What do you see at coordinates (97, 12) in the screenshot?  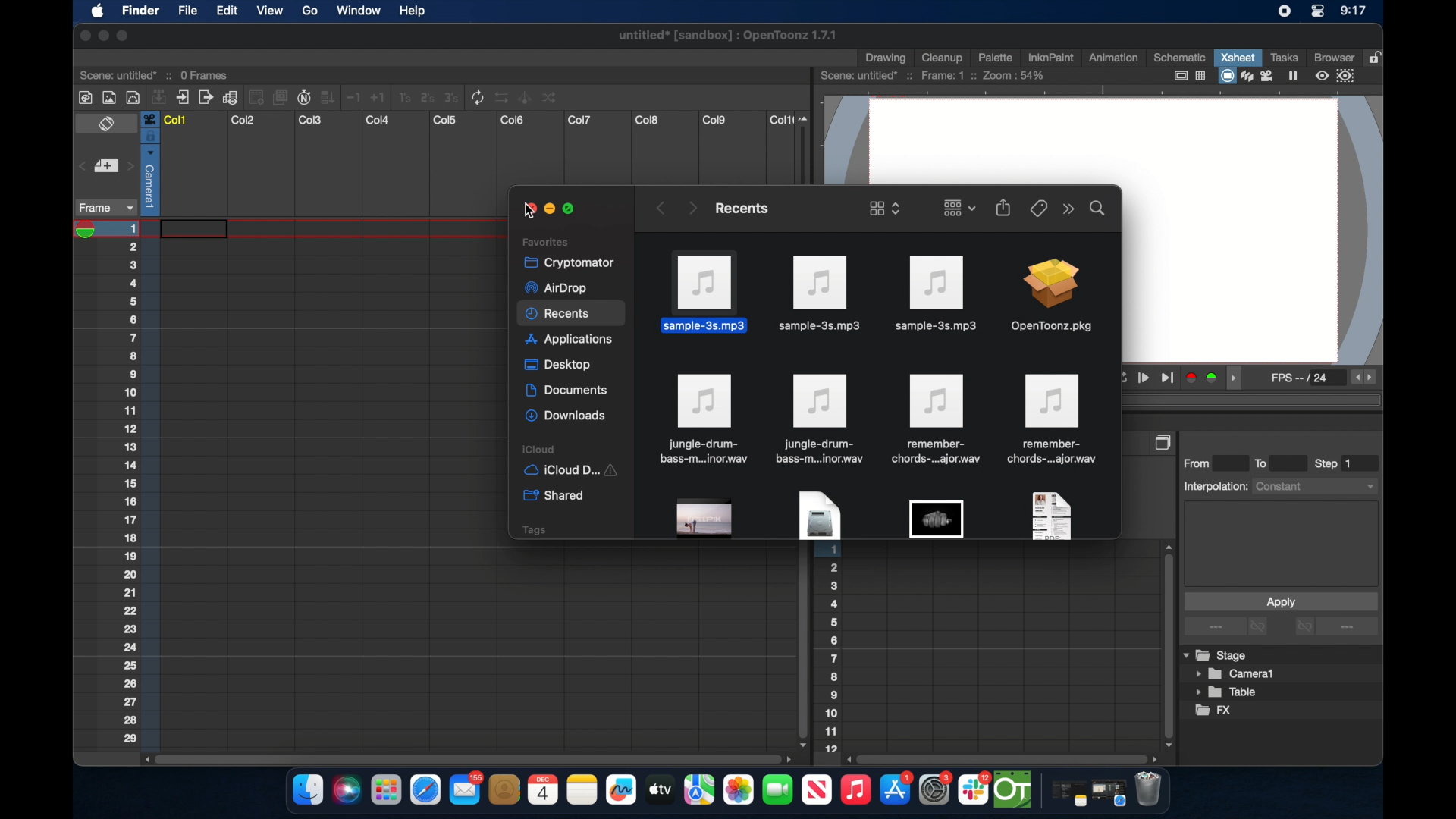 I see `appleicon` at bounding box center [97, 12].